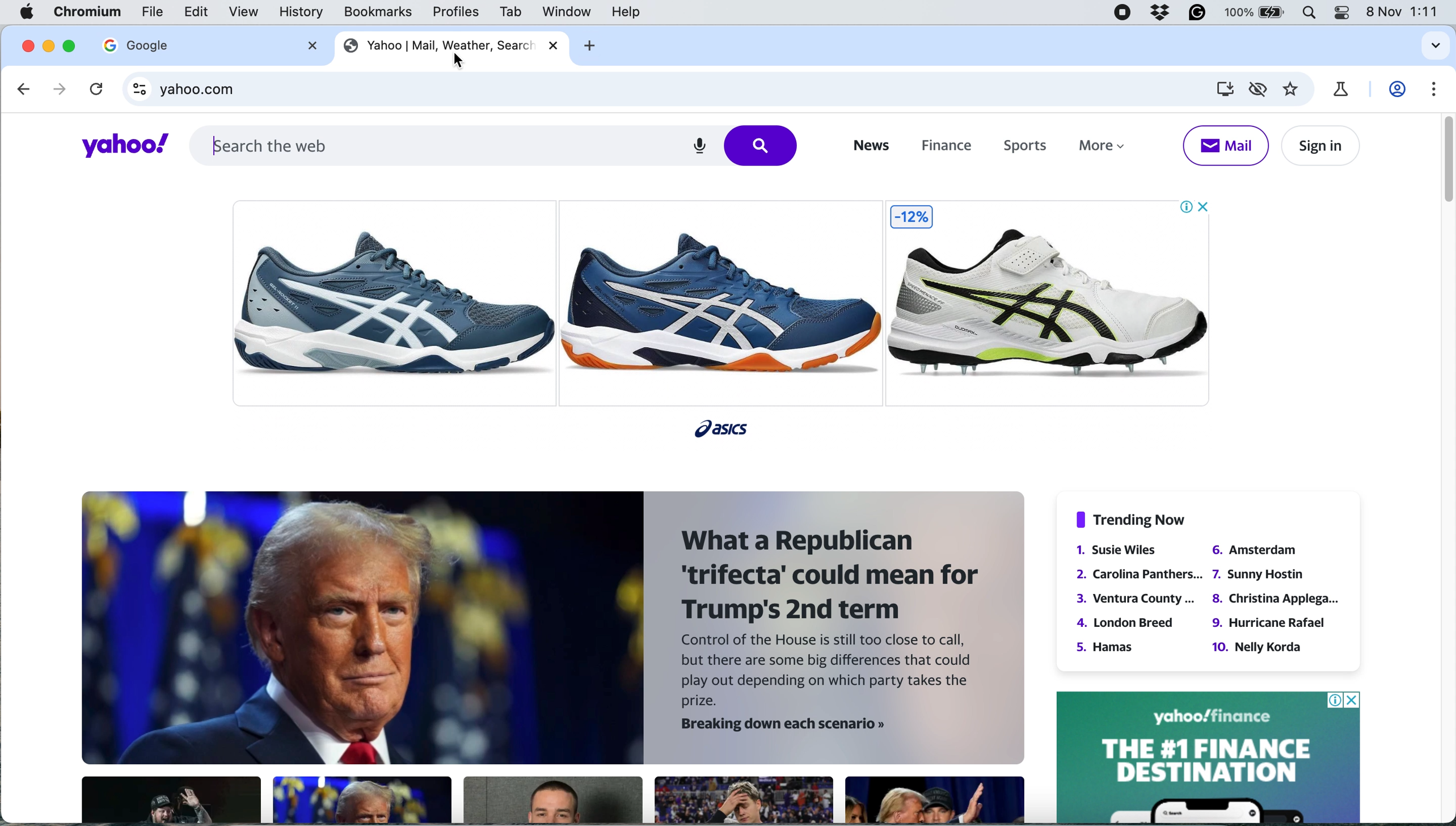  What do you see at coordinates (508, 12) in the screenshot?
I see `tab` at bounding box center [508, 12].